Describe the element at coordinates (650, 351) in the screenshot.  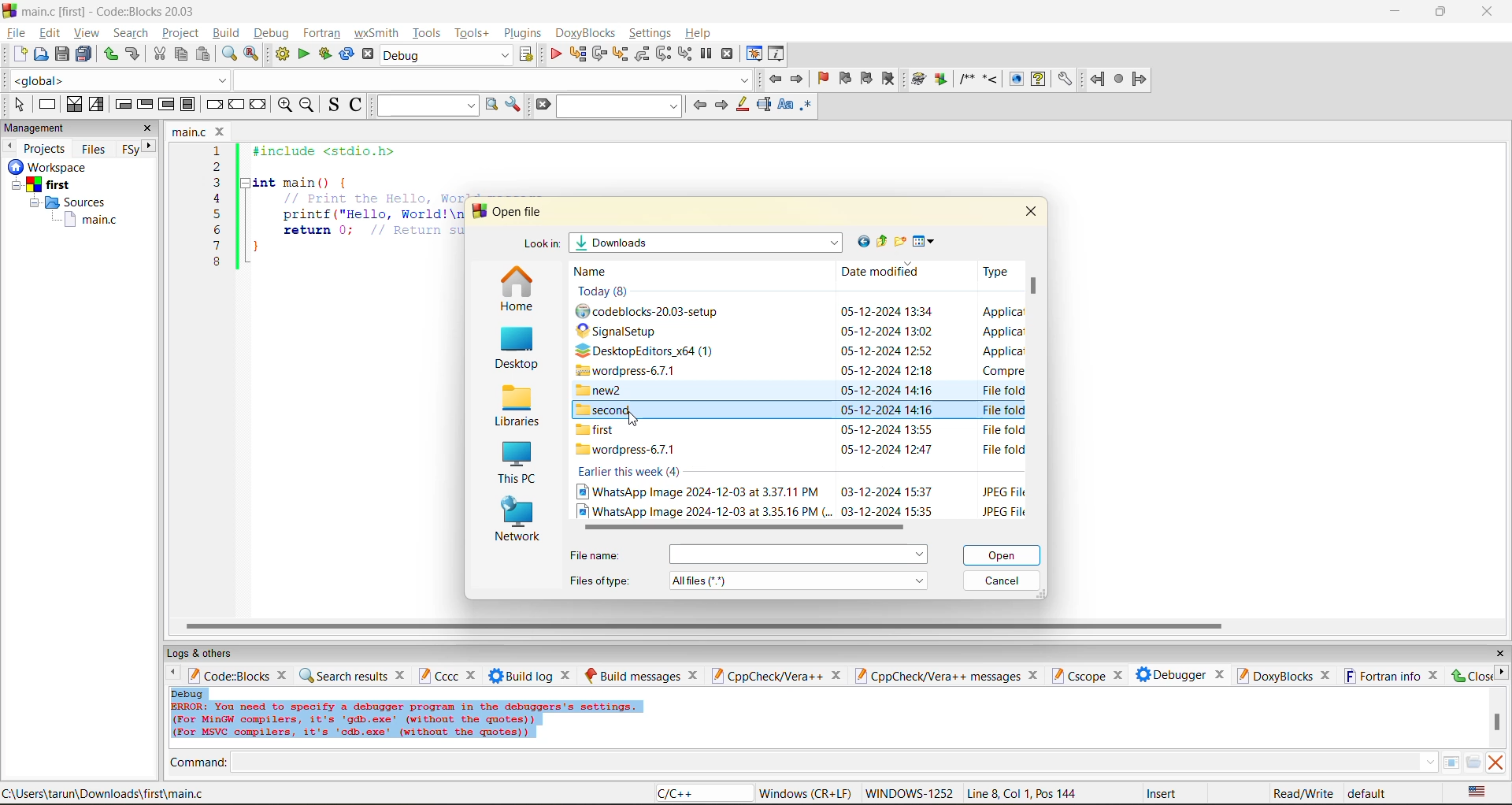
I see `Desktop editors x64` at that location.